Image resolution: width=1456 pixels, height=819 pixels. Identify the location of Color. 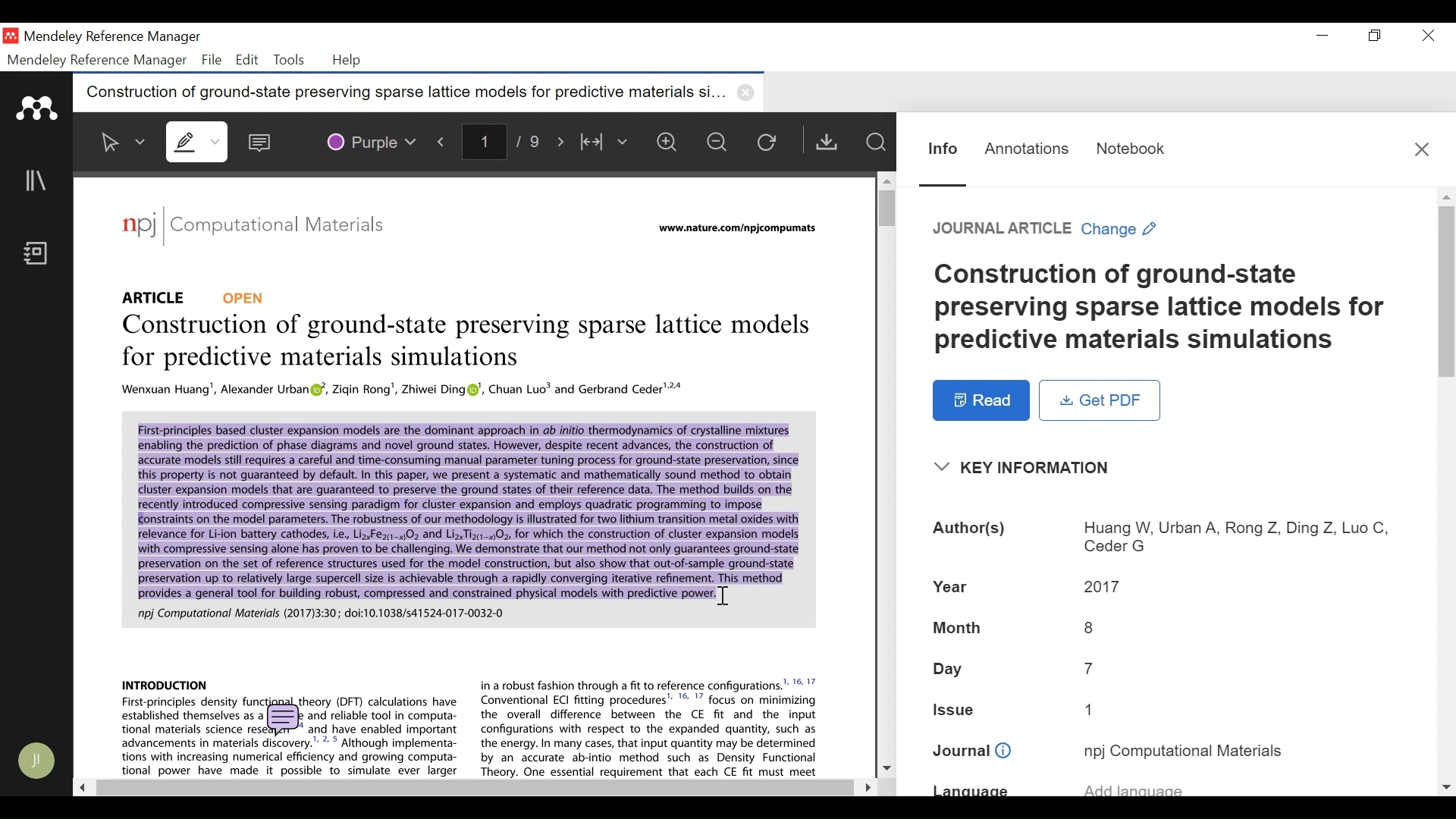
(370, 140).